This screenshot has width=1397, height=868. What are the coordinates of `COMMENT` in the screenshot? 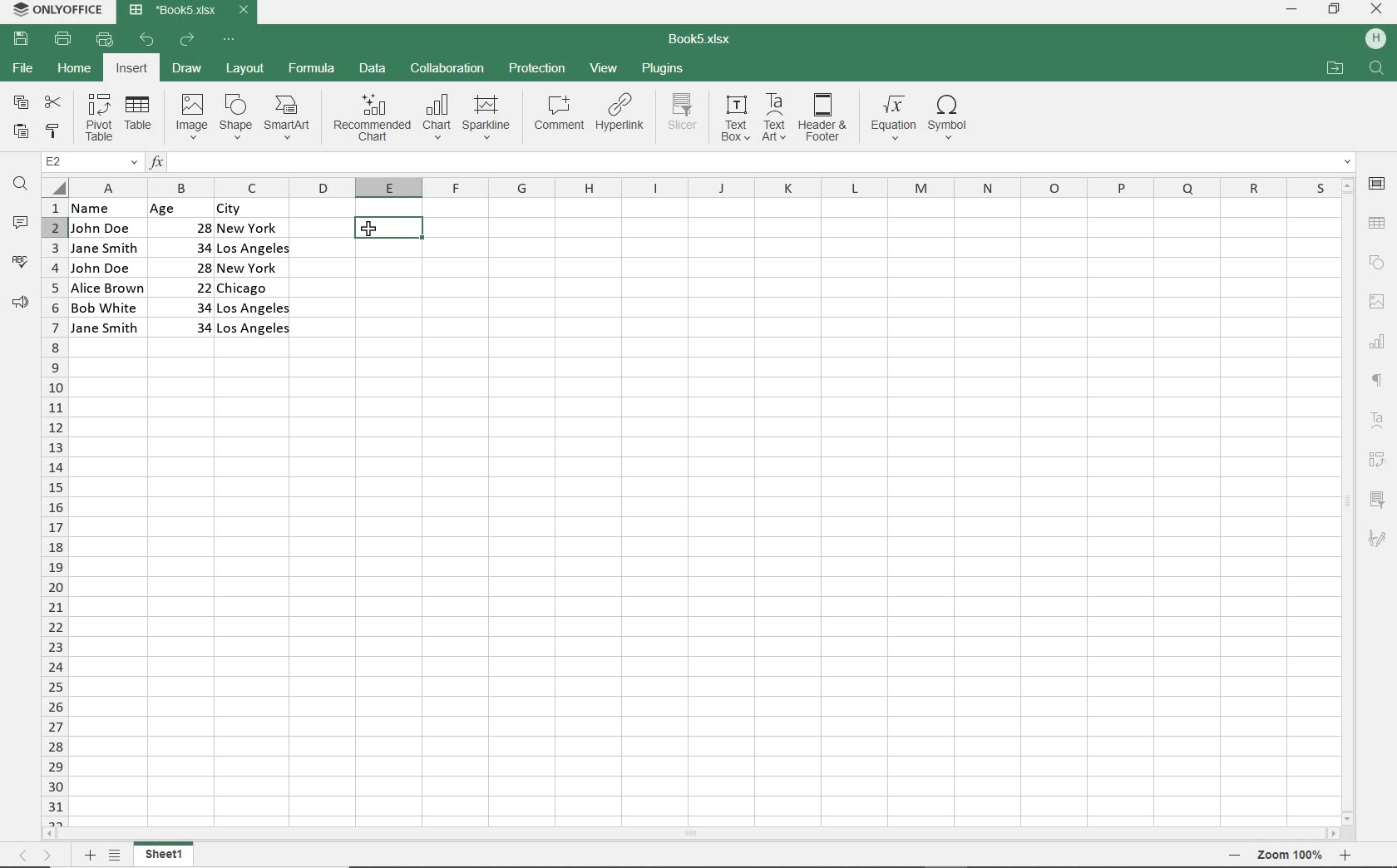 It's located at (559, 116).